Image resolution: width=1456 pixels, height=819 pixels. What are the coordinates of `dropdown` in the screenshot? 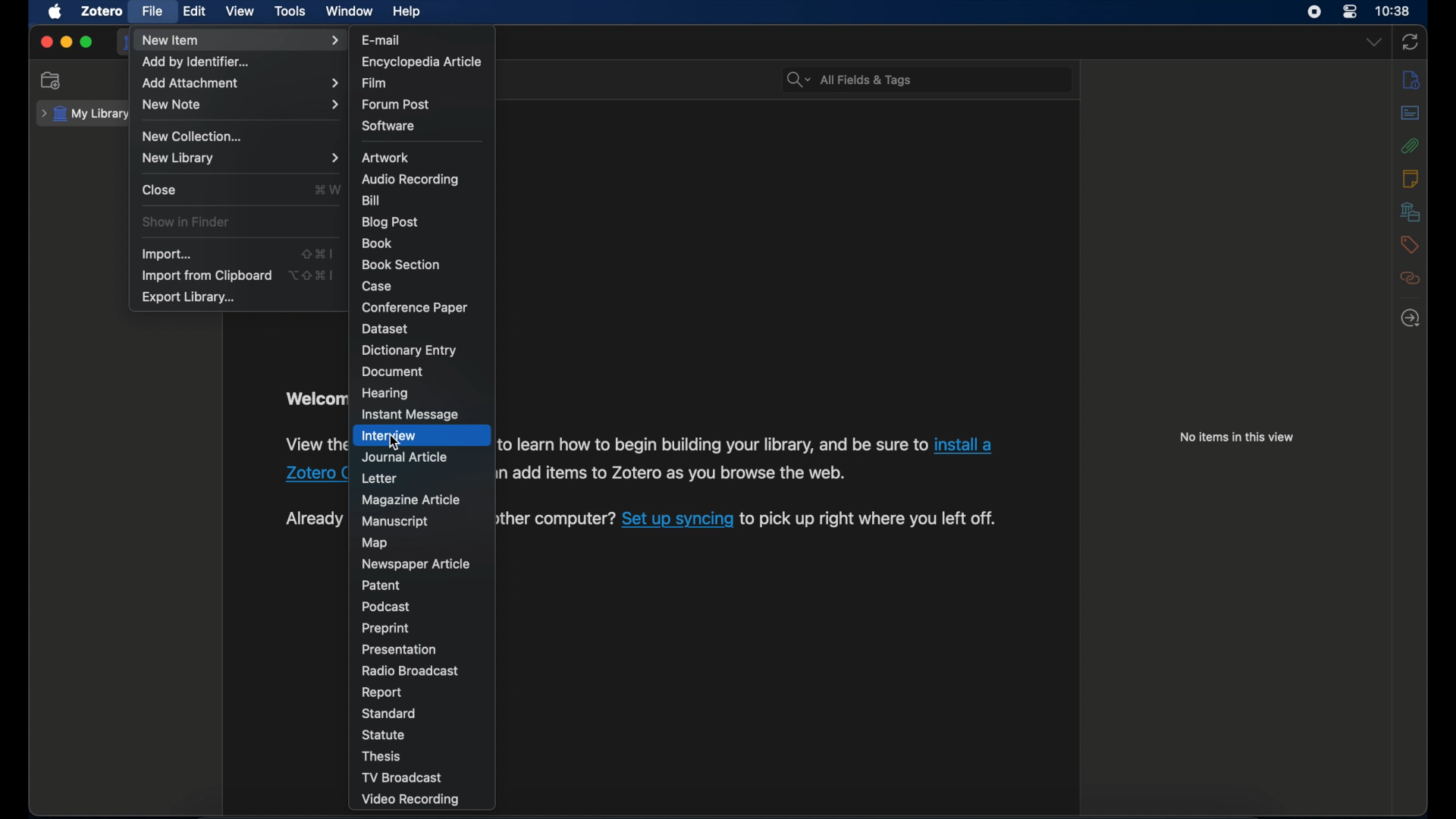 It's located at (1375, 42).